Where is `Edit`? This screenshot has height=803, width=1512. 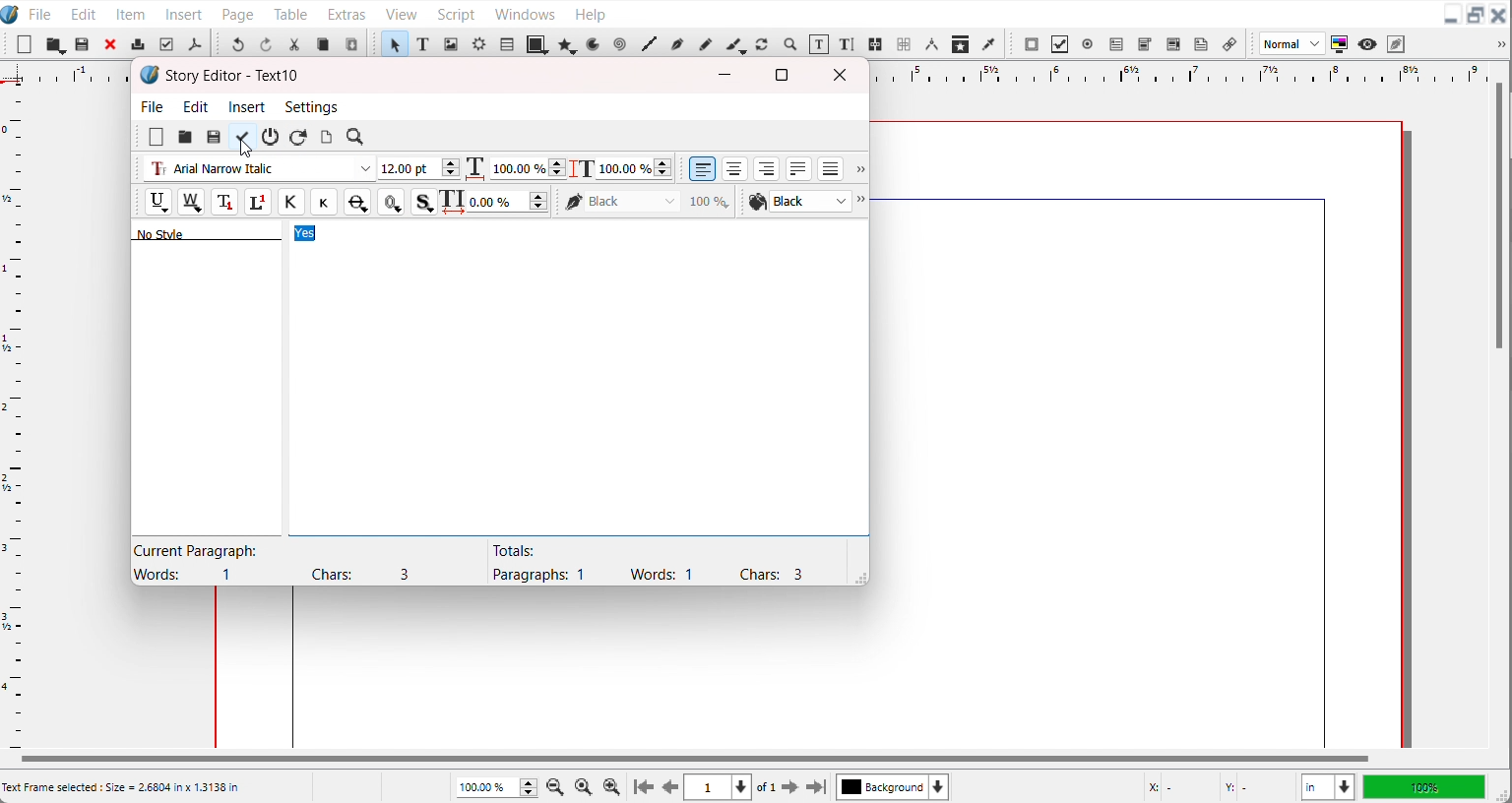
Edit is located at coordinates (81, 13).